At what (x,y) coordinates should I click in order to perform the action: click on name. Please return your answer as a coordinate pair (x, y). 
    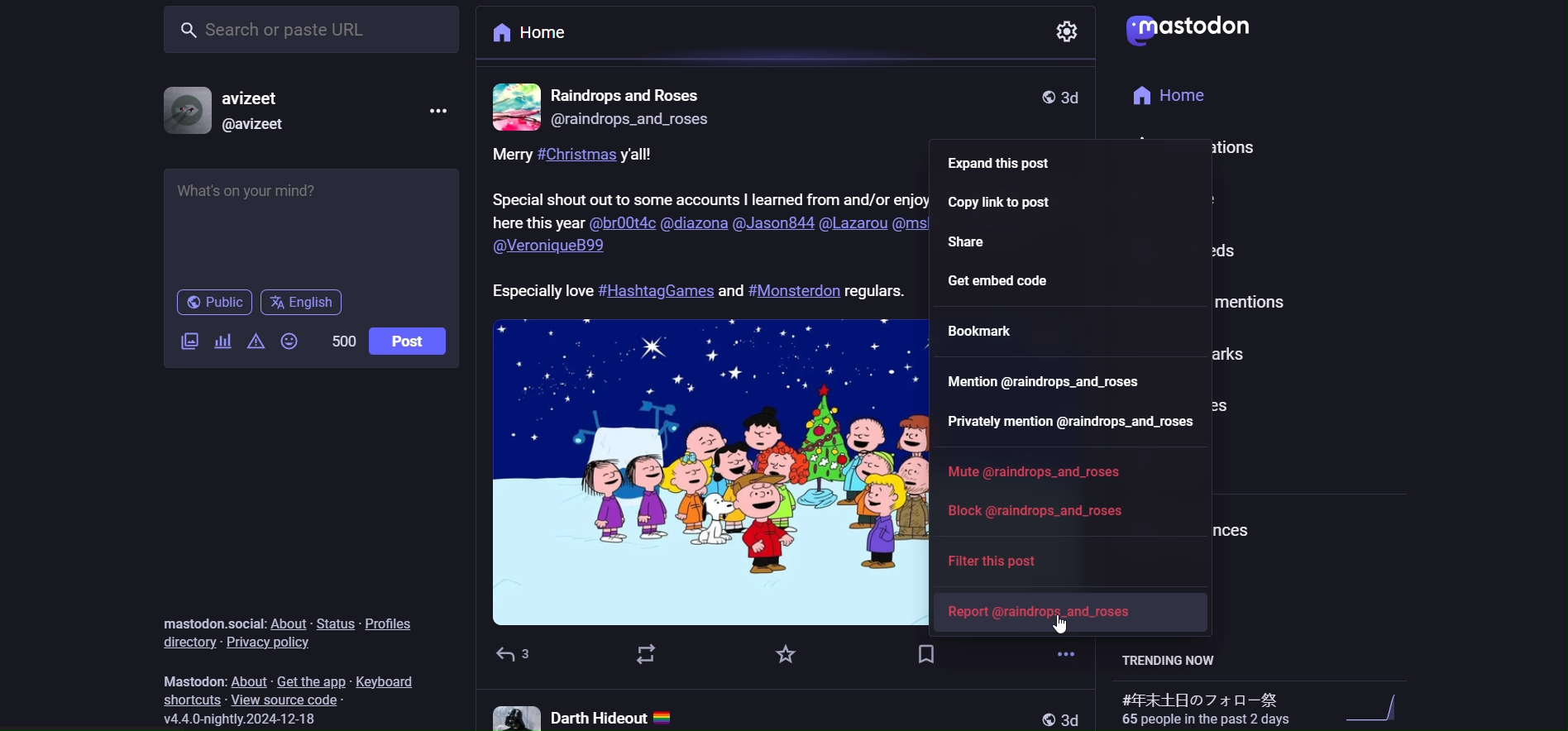
    Looking at the image, I should click on (256, 98).